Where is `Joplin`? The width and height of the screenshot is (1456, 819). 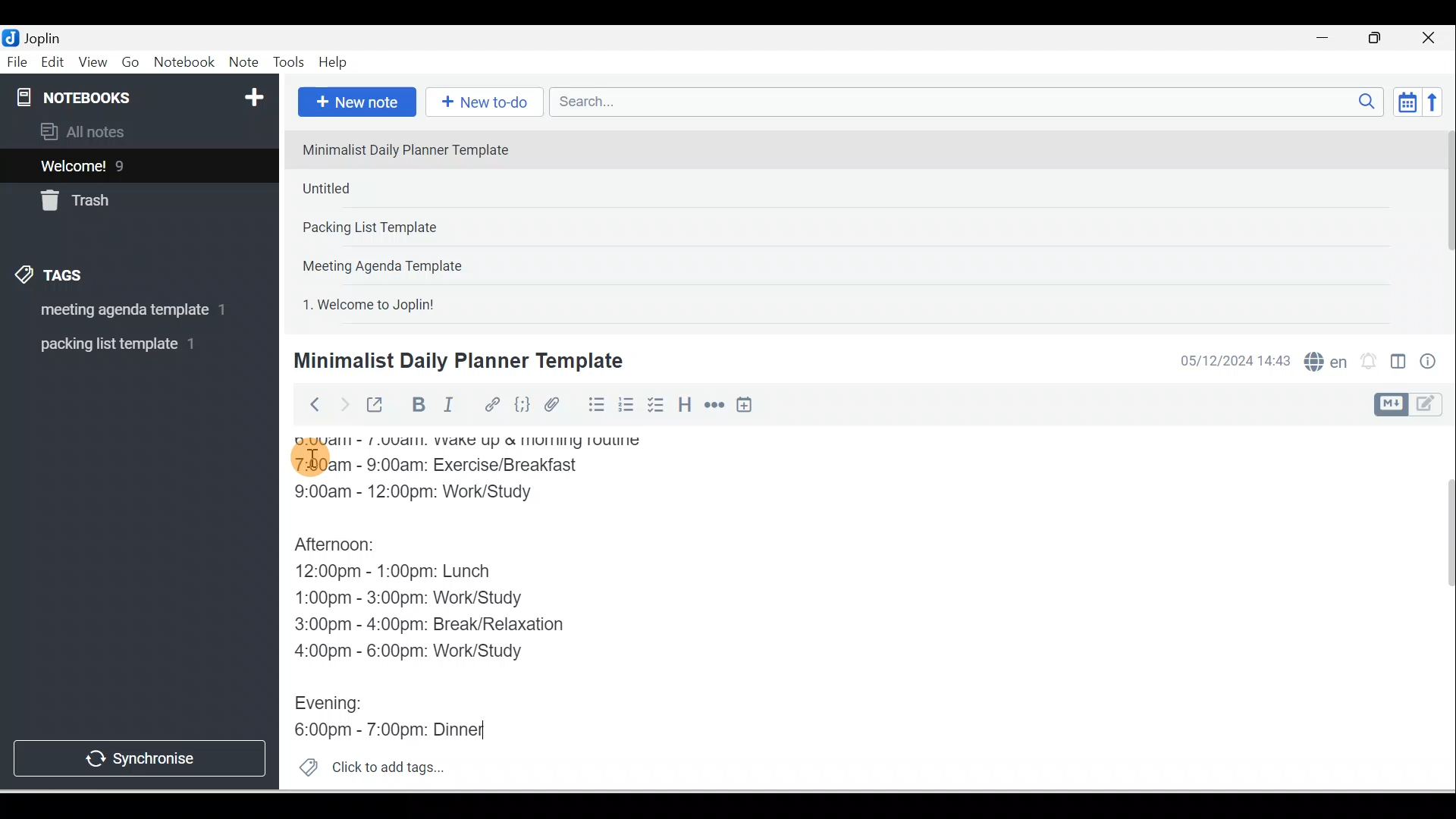
Joplin is located at coordinates (46, 36).